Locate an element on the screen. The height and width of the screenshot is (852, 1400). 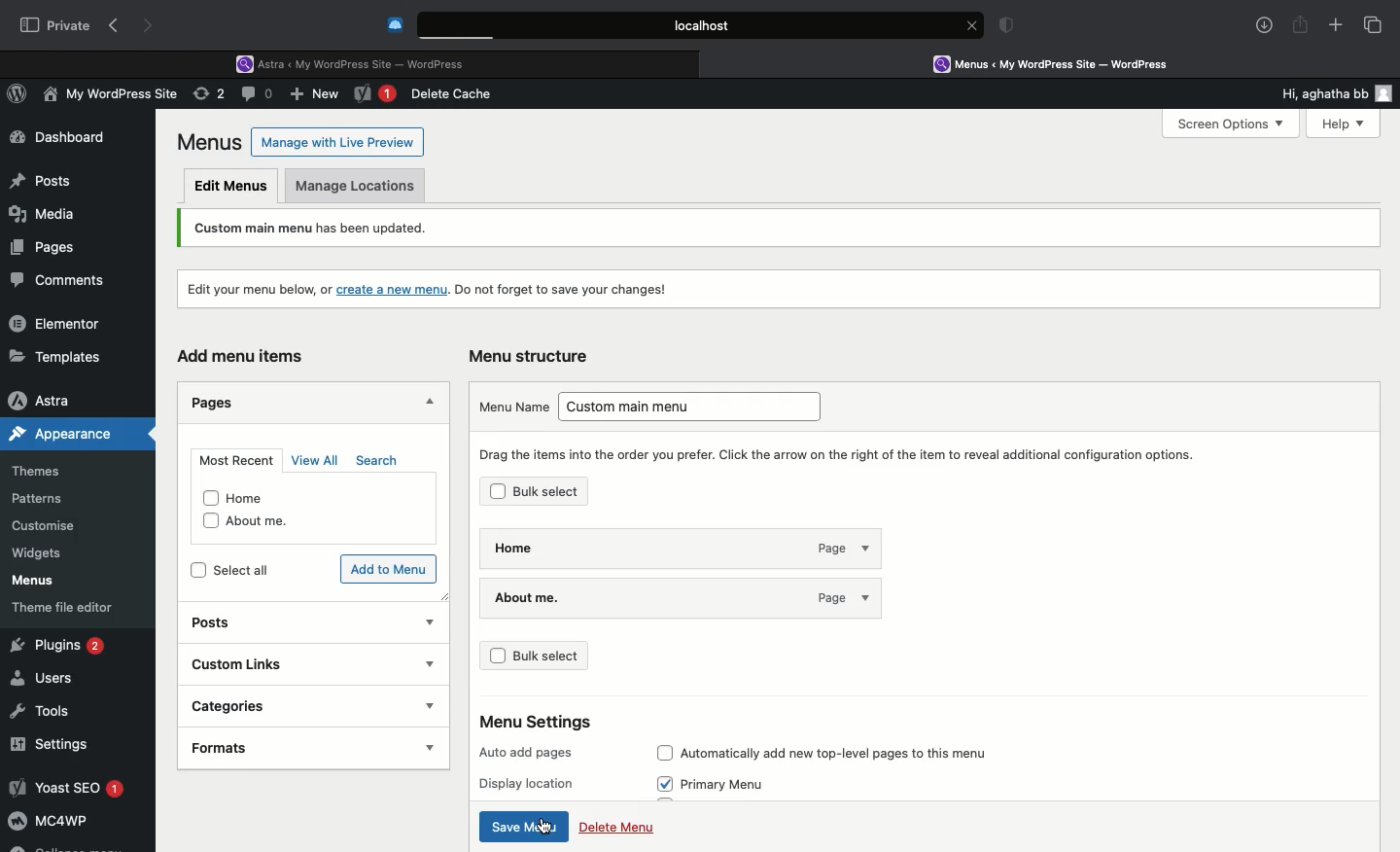
Drag the items into the order you prefer. Click the arrow on the right of the item to reveal additional option is located at coordinates (853, 452).